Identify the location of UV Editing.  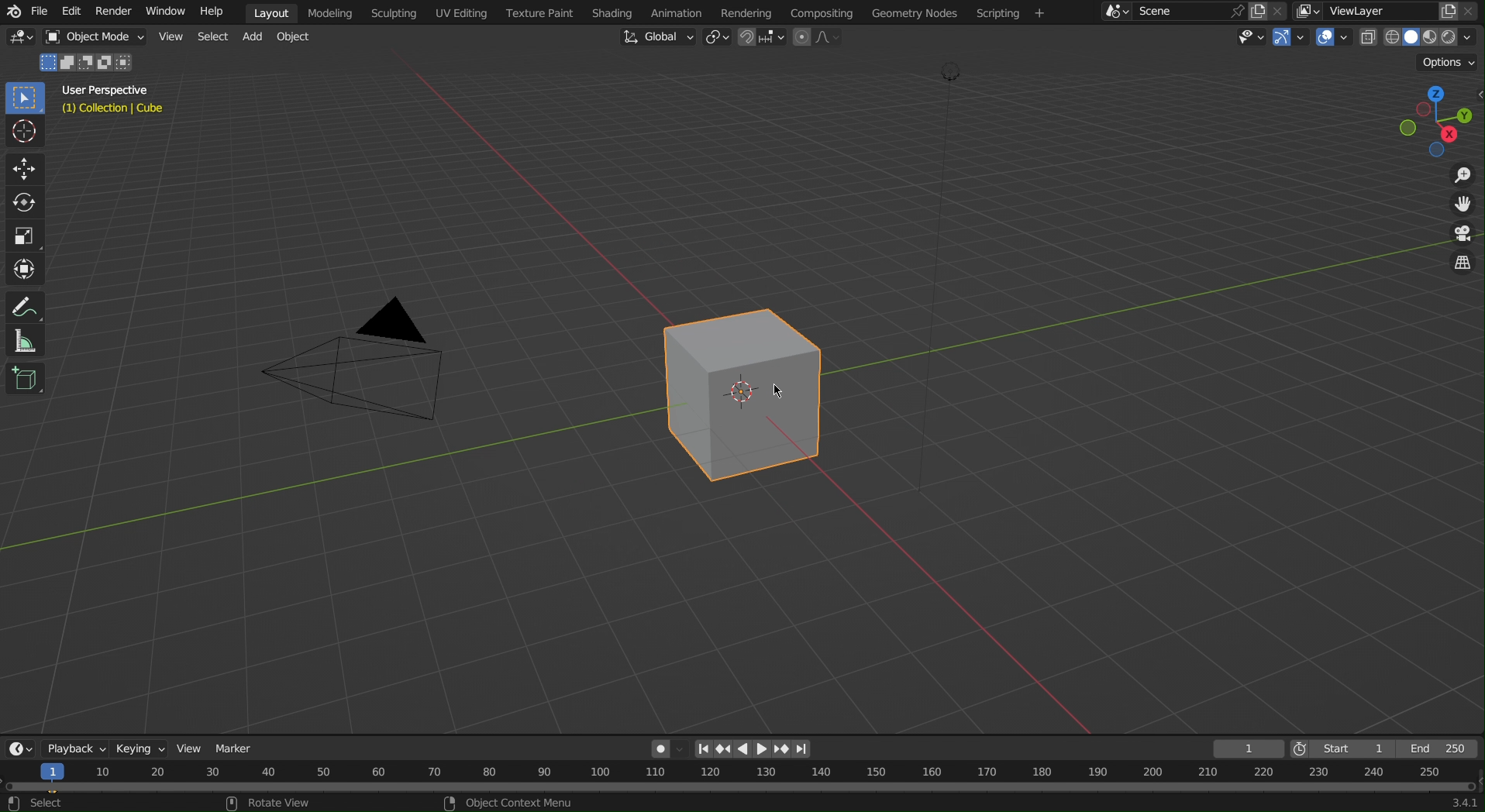
(460, 13).